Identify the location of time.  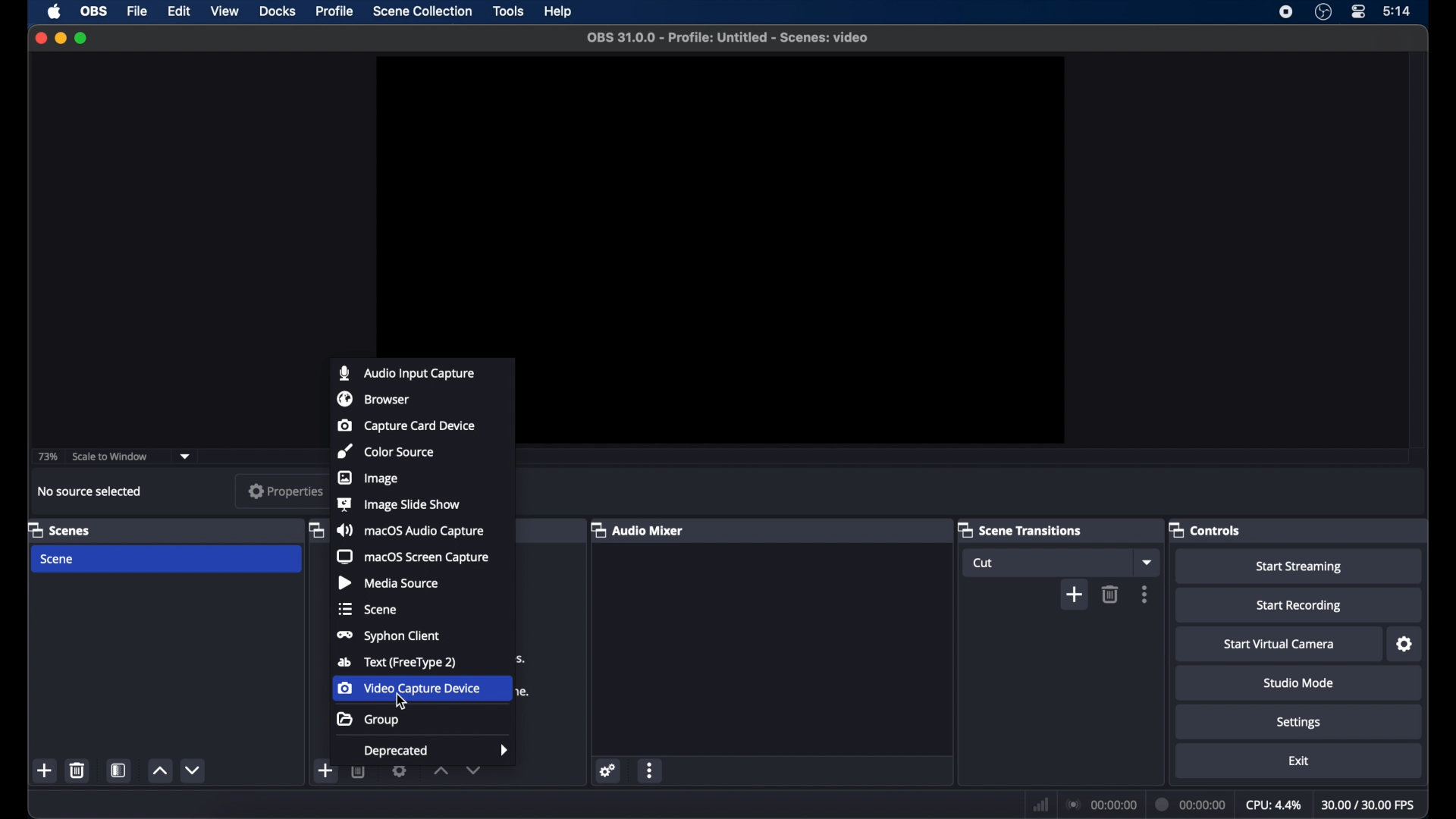
(1398, 11).